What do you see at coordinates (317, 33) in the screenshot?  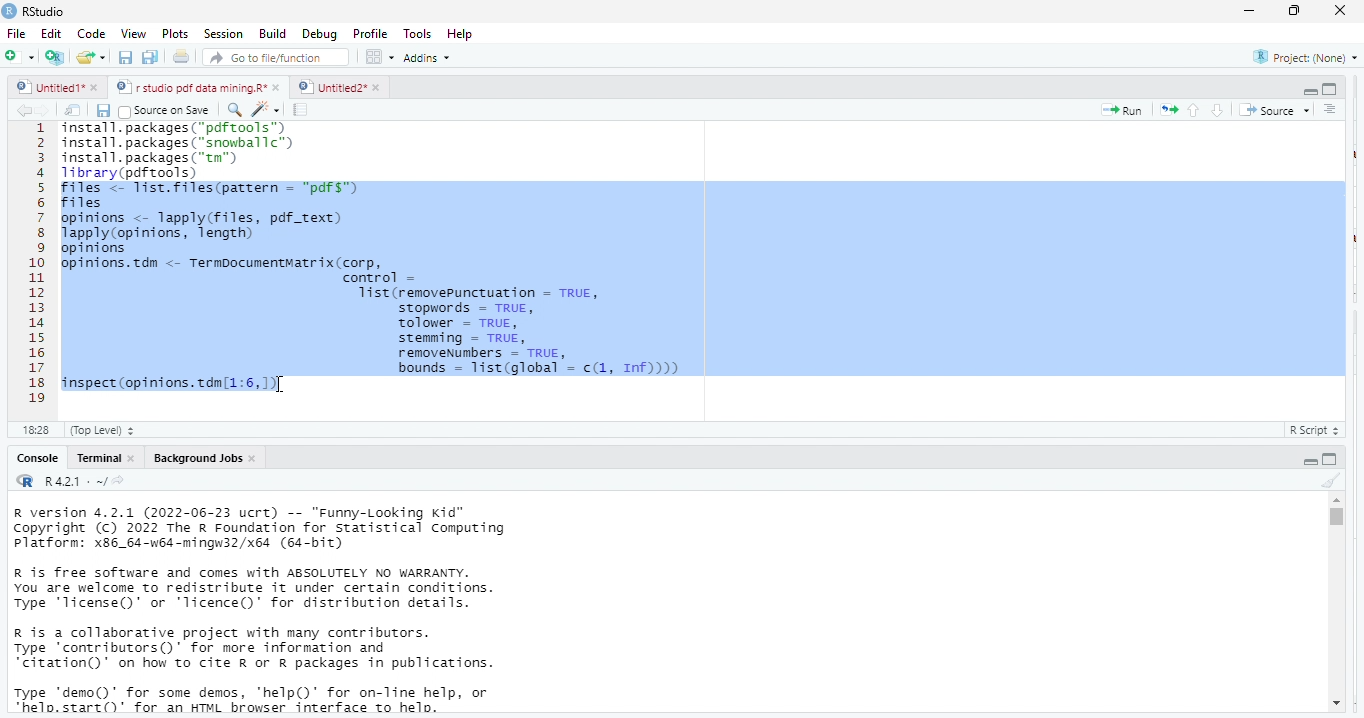 I see `debug` at bounding box center [317, 33].